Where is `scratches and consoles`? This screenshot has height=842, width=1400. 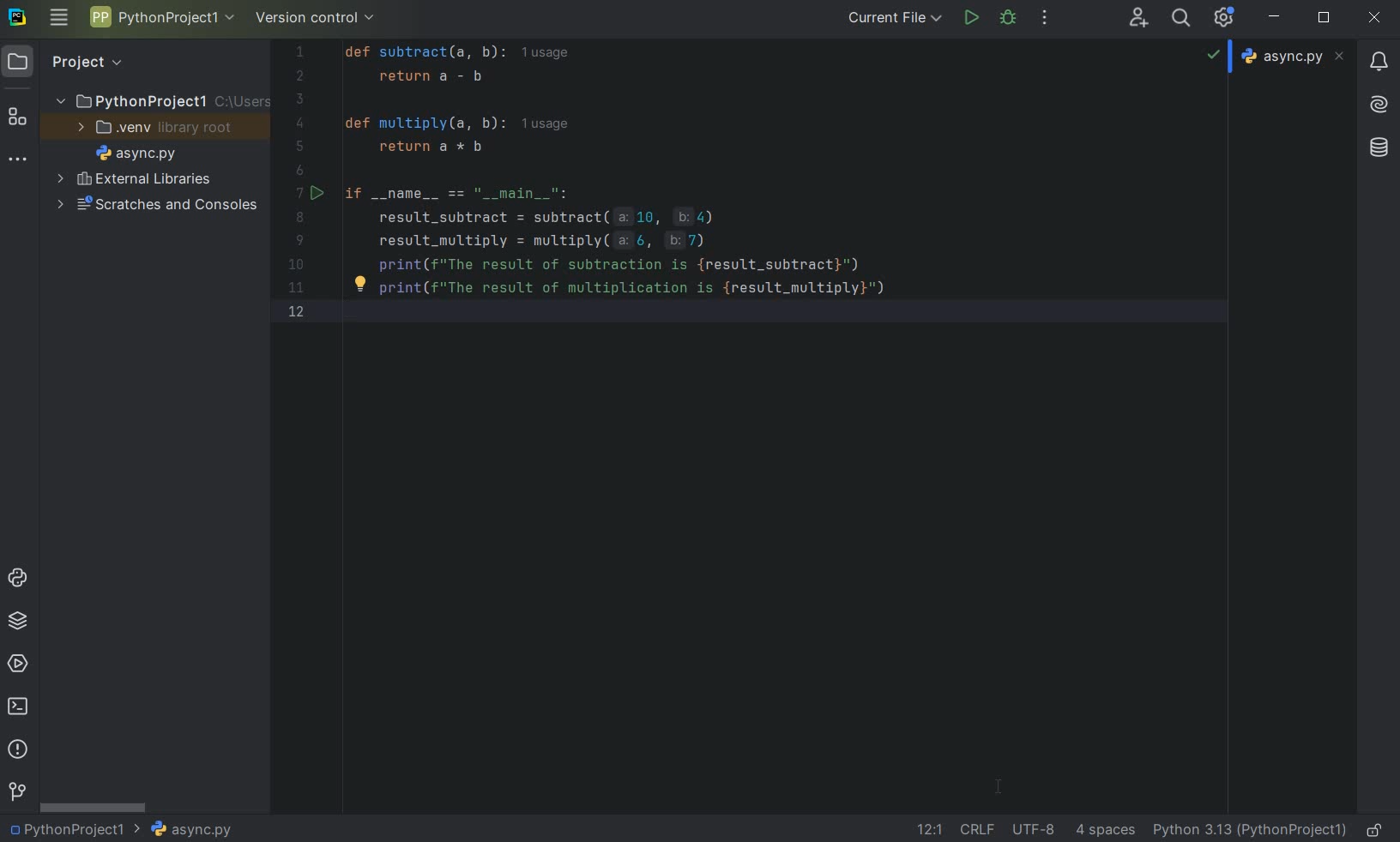 scratches and consoles is located at coordinates (162, 206).